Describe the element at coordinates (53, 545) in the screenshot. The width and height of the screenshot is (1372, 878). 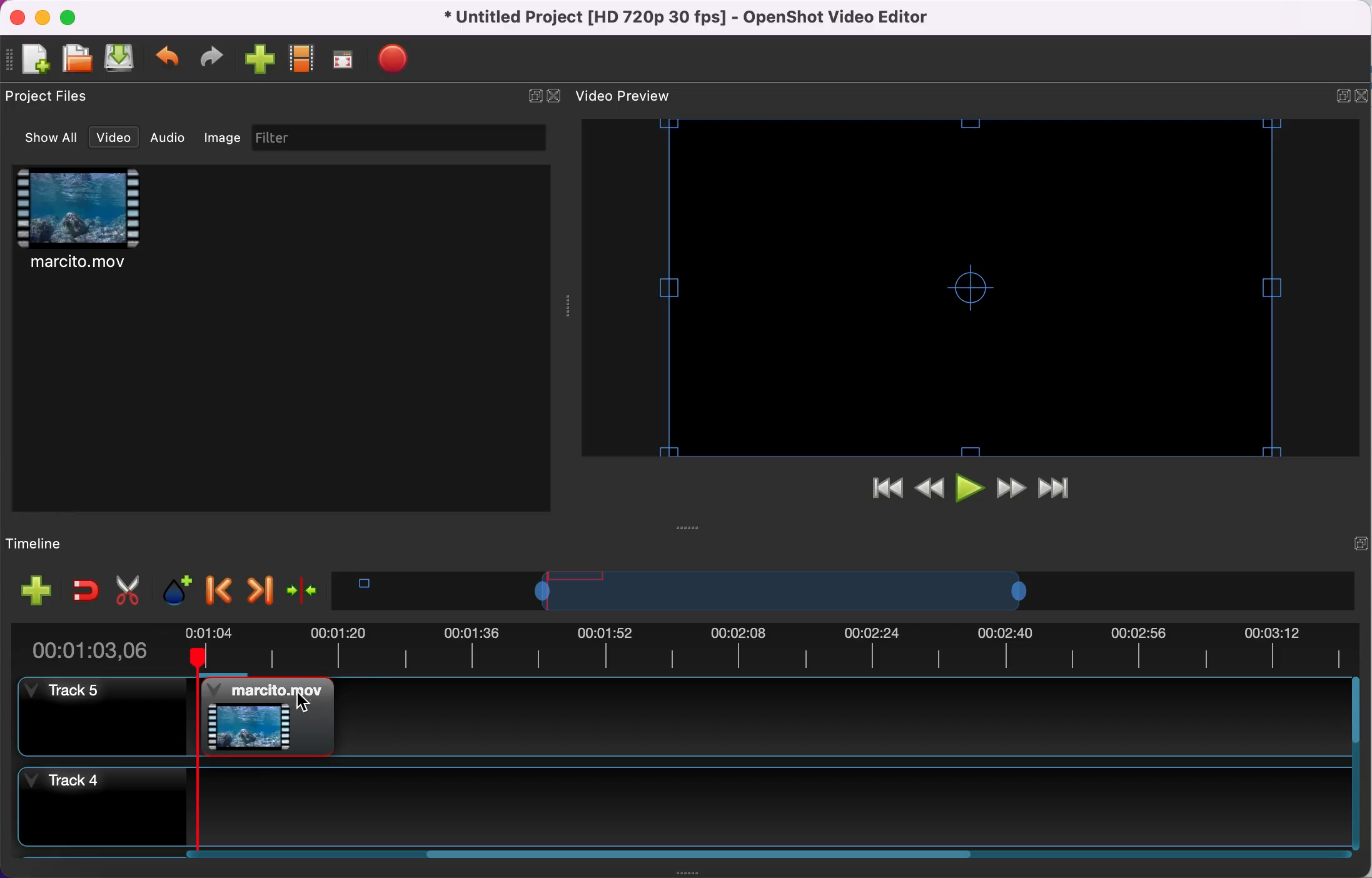
I see `timeline` at that location.